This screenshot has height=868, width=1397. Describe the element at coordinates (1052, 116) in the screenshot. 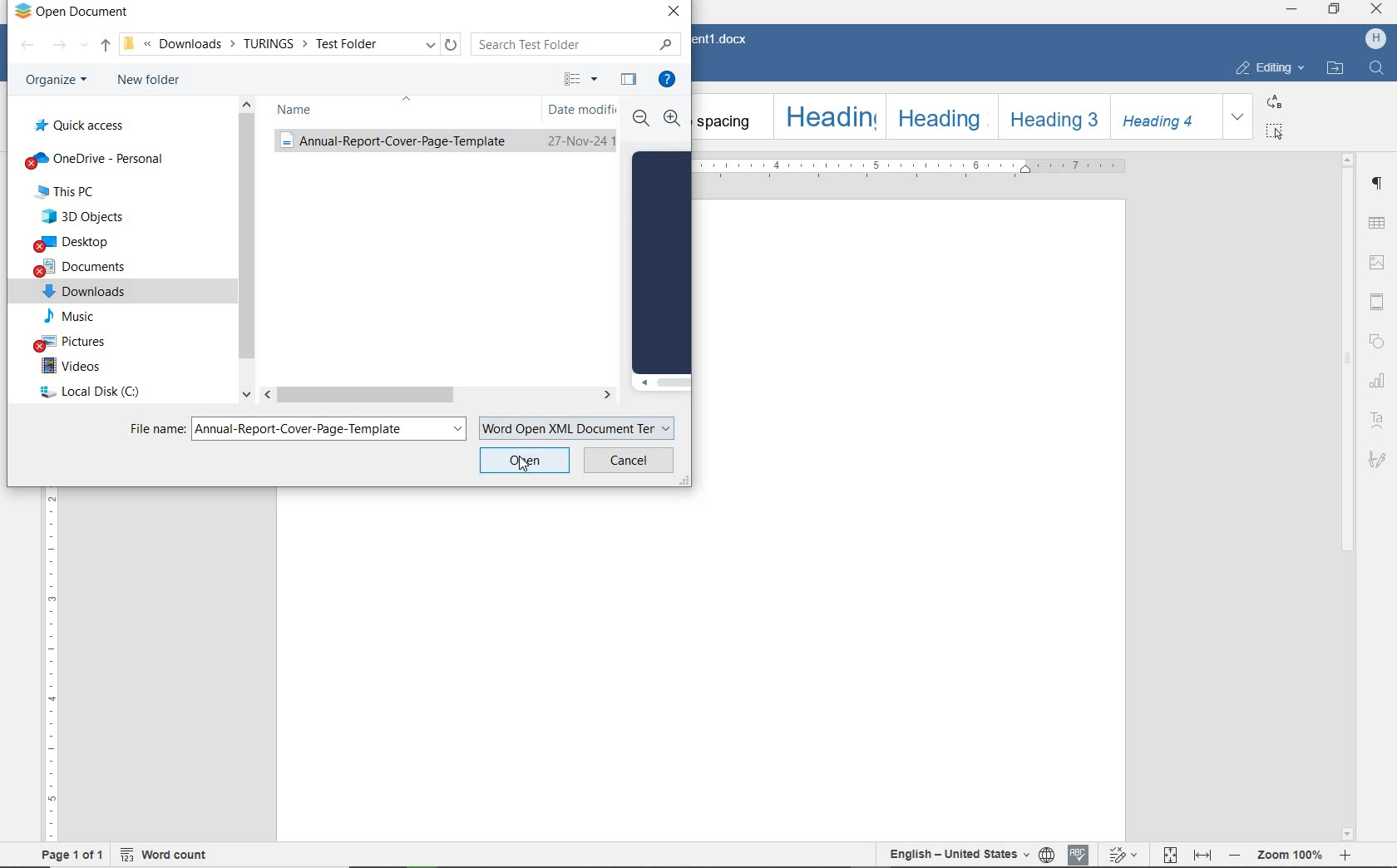

I see `heading 3` at that location.